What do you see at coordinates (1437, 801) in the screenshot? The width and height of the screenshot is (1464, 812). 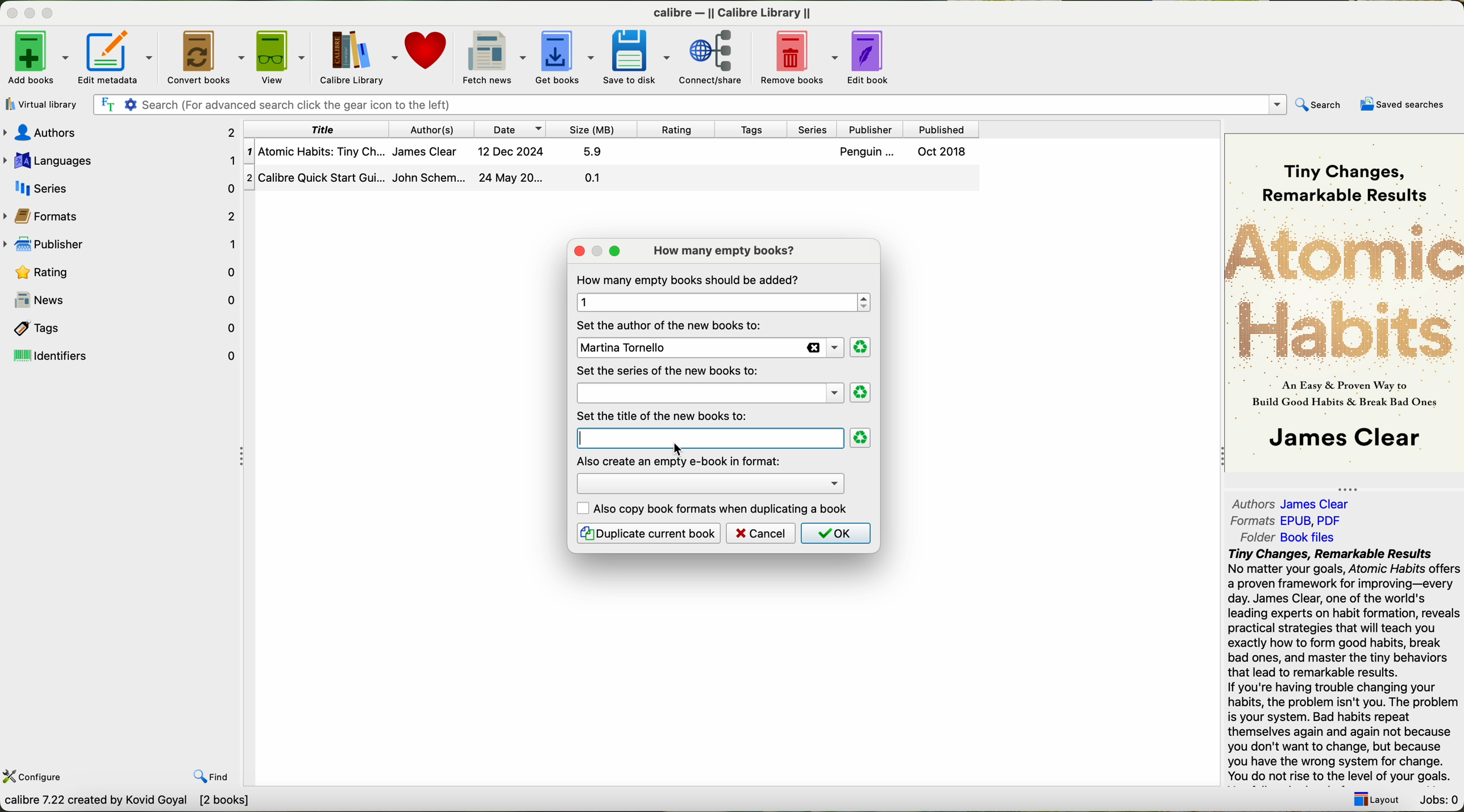 I see `Jobs: 0` at bounding box center [1437, 801].